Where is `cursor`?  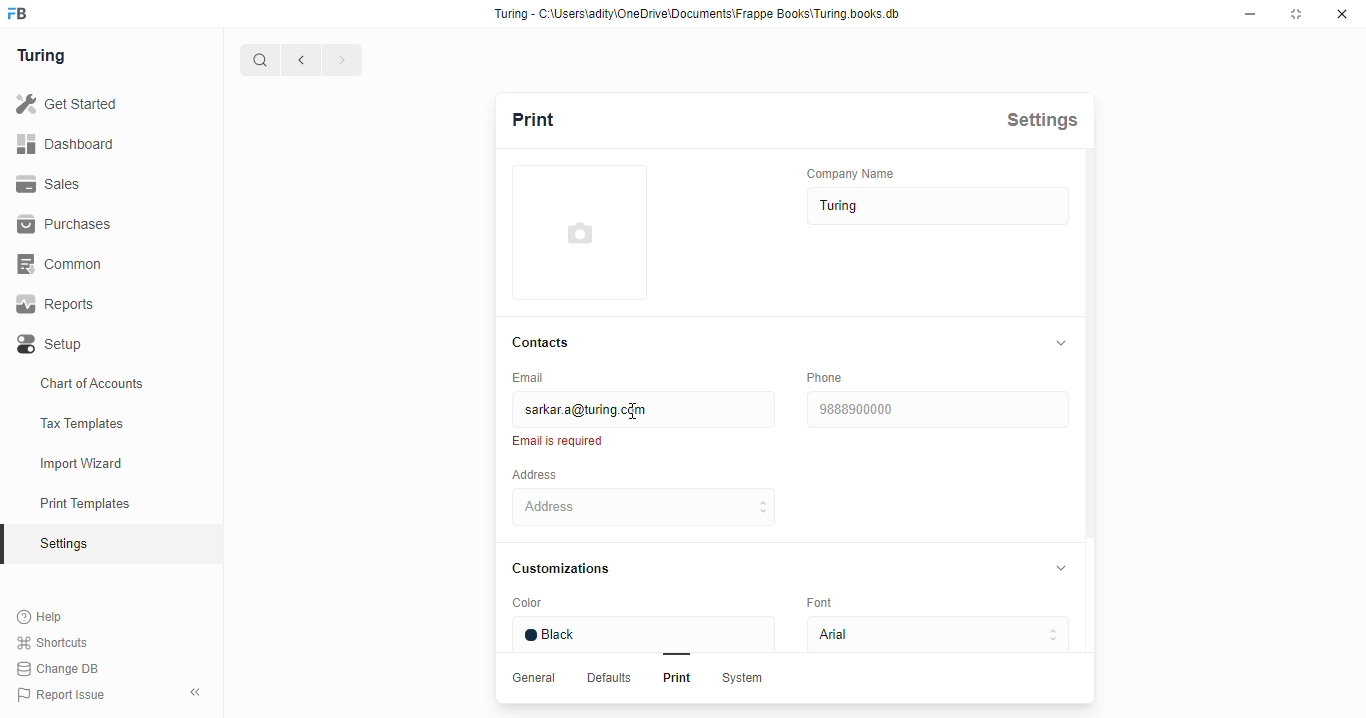 cursor is located at coordinates (638, 412).